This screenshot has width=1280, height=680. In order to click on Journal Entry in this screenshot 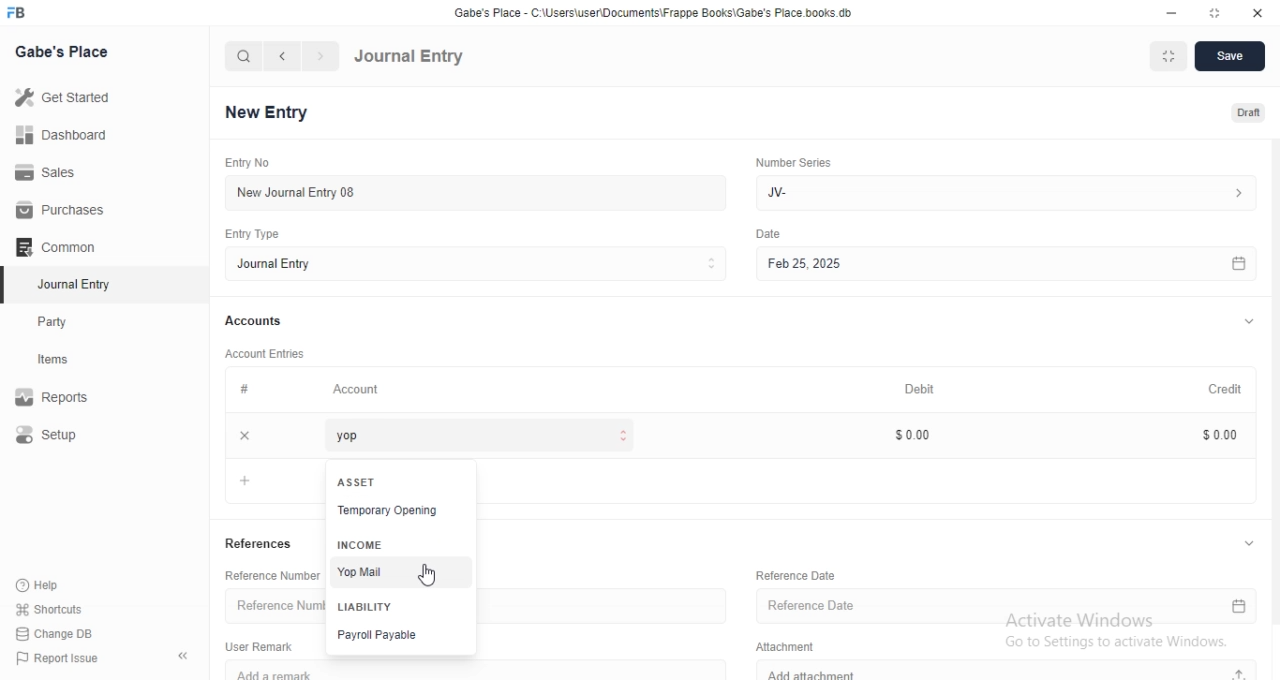, I will do `click(71, 284)`.